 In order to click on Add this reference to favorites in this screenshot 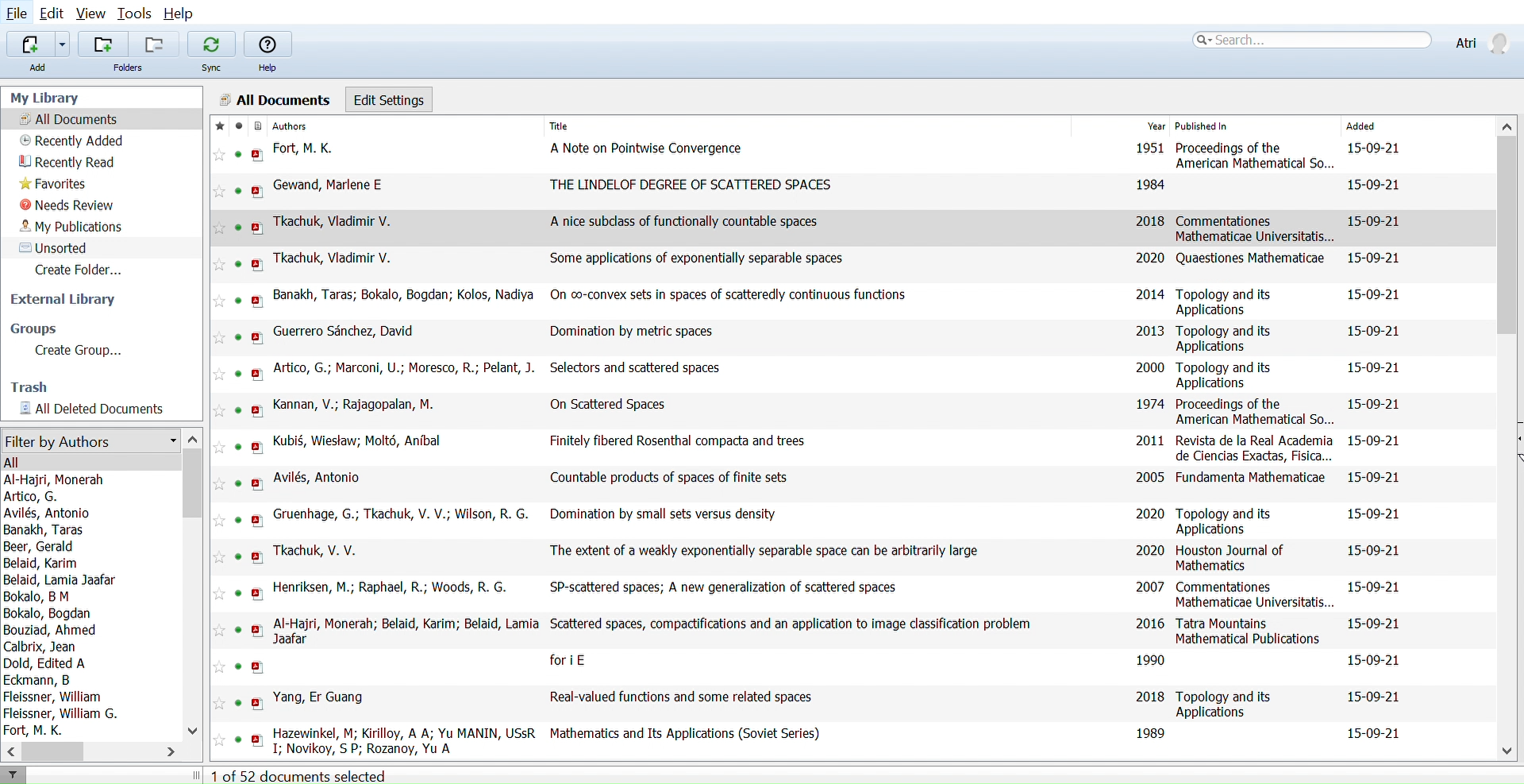, I will do `click(221, 447)`.